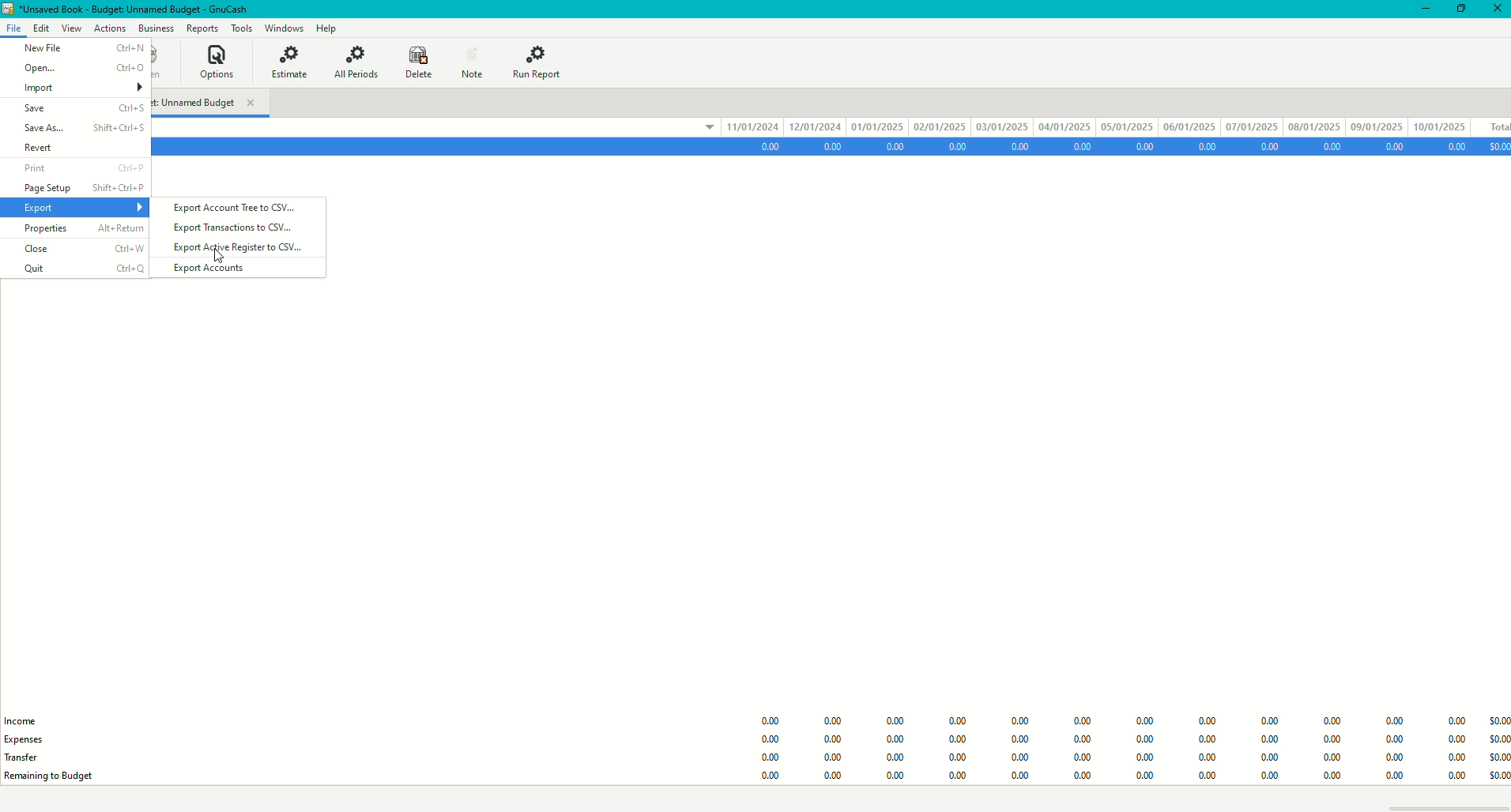 The height and width of the screenshot is (812, 1511). What do you see at coordinates (85, 47) in the screenshot?
I see `New File` at bounding box center [85, 47].